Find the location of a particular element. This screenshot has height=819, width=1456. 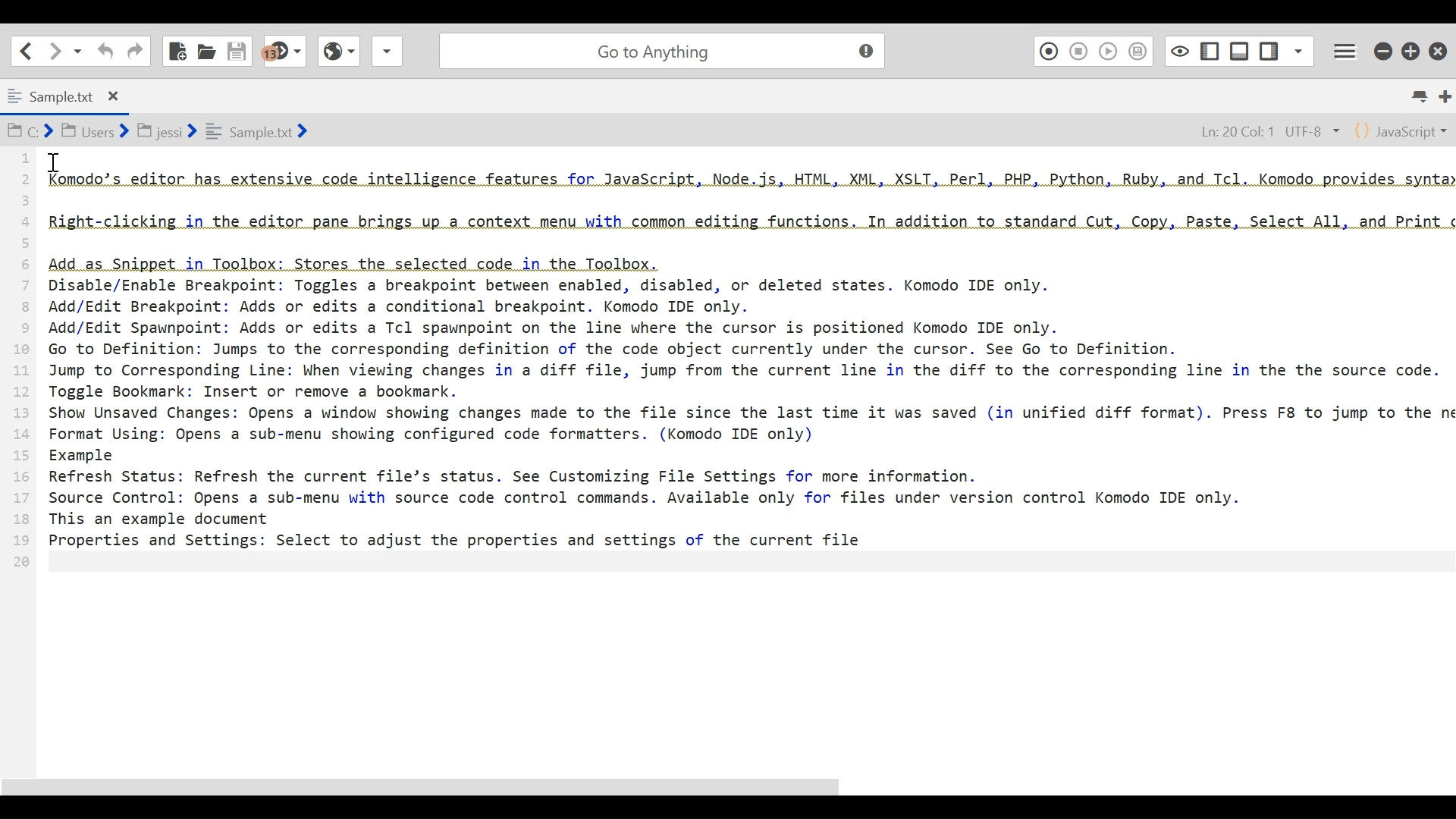

File Type is located at coordinates (1402, 130).